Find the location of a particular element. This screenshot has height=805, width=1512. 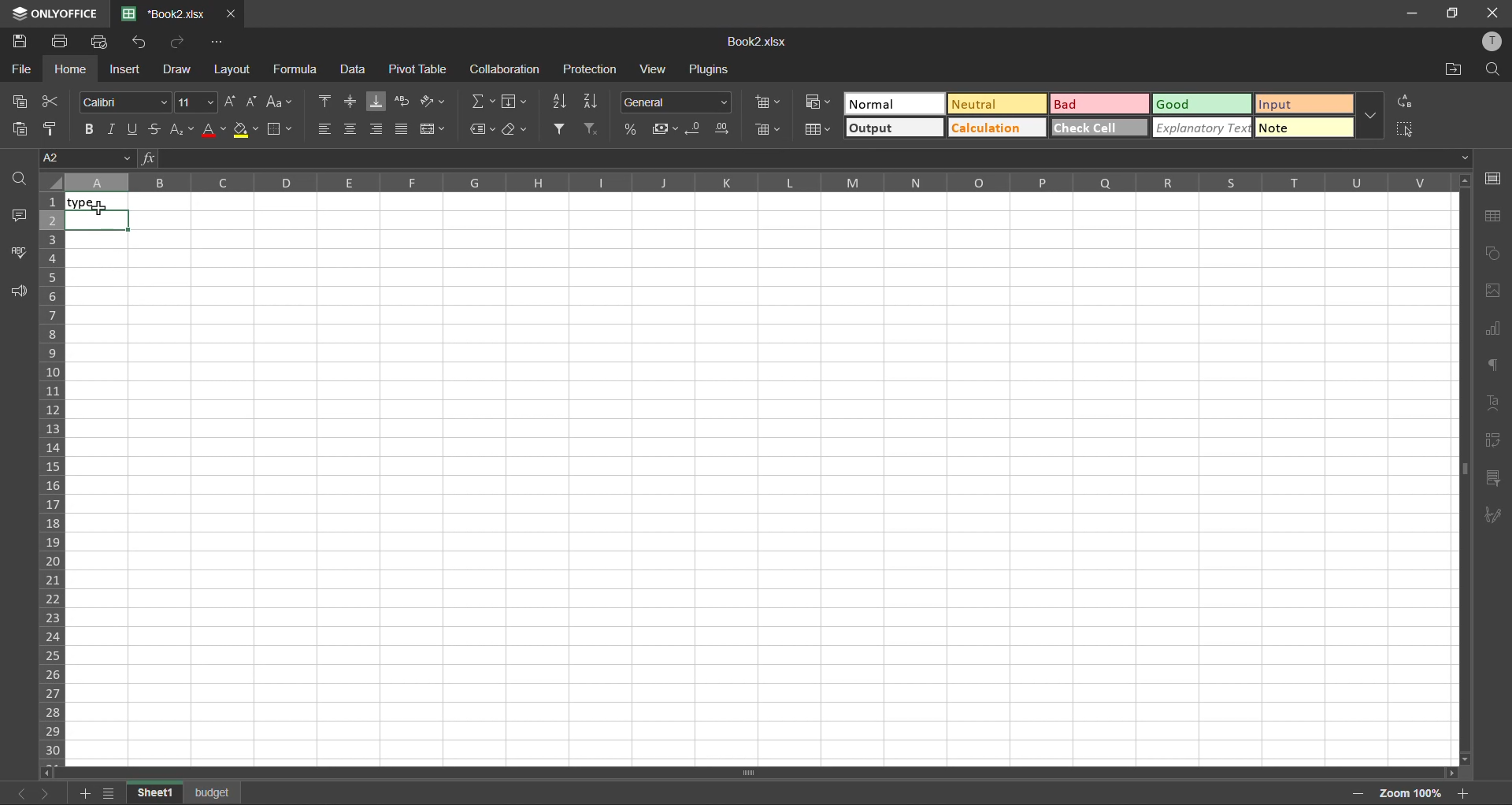

file is located at coordinates (22, 68).